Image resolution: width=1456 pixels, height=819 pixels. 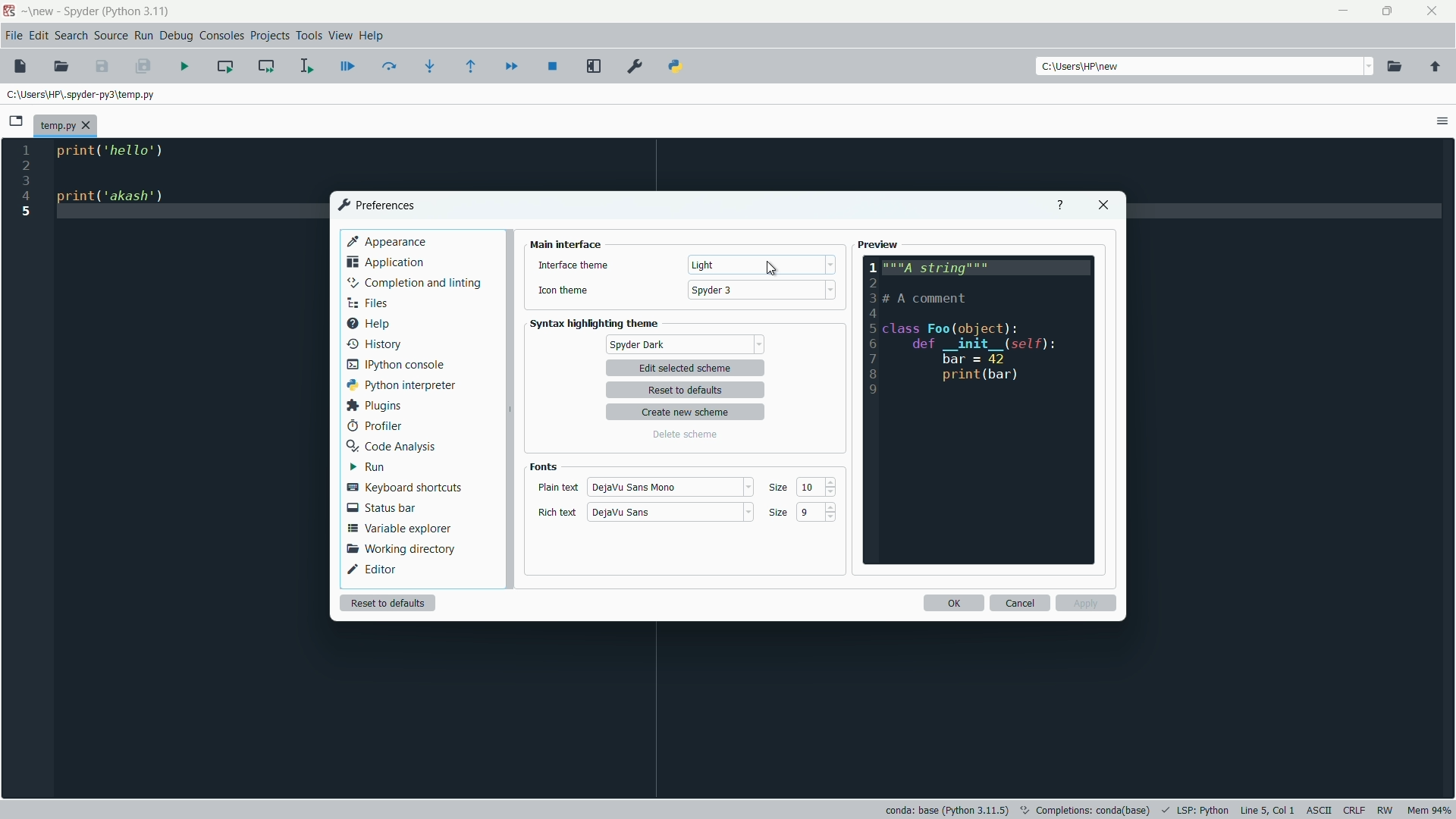 I want to click on LSP:Python, so click(x=1203, y=810).